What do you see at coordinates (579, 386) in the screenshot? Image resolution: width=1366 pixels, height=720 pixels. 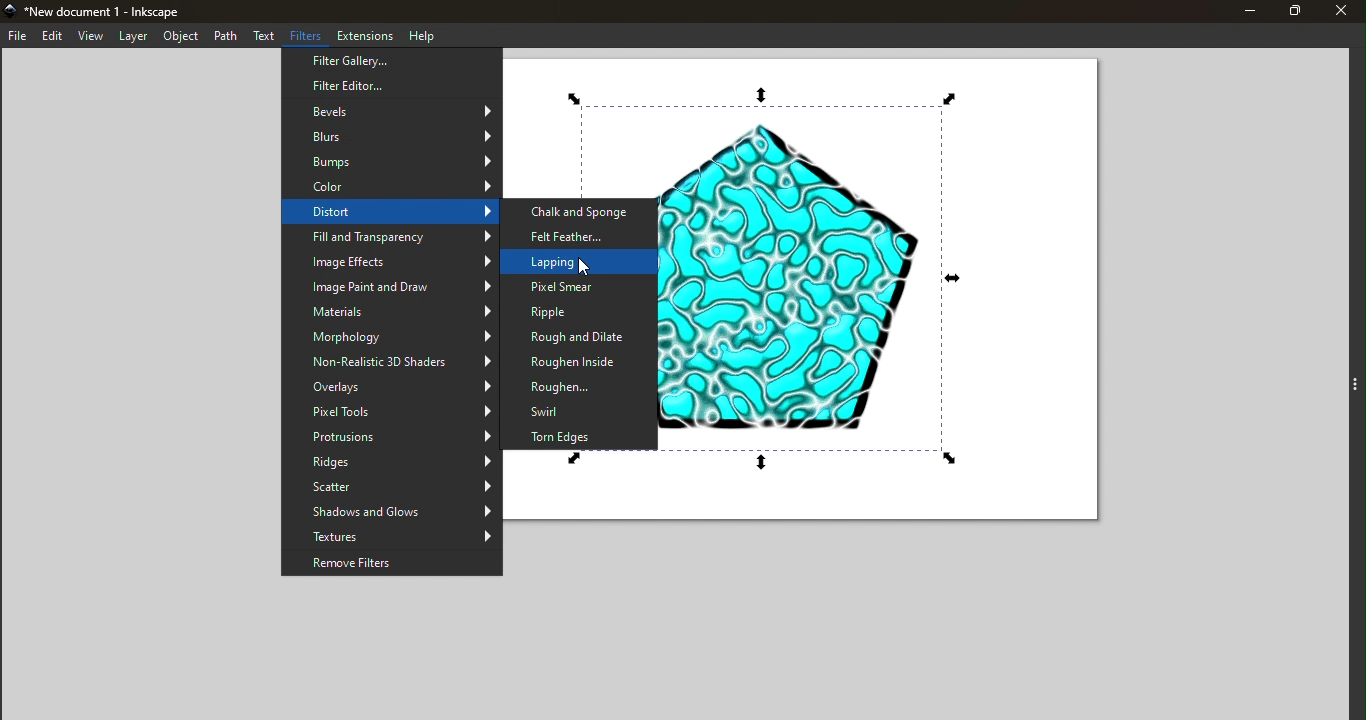 I see `Roughen..` at bounding box center [579, 386].